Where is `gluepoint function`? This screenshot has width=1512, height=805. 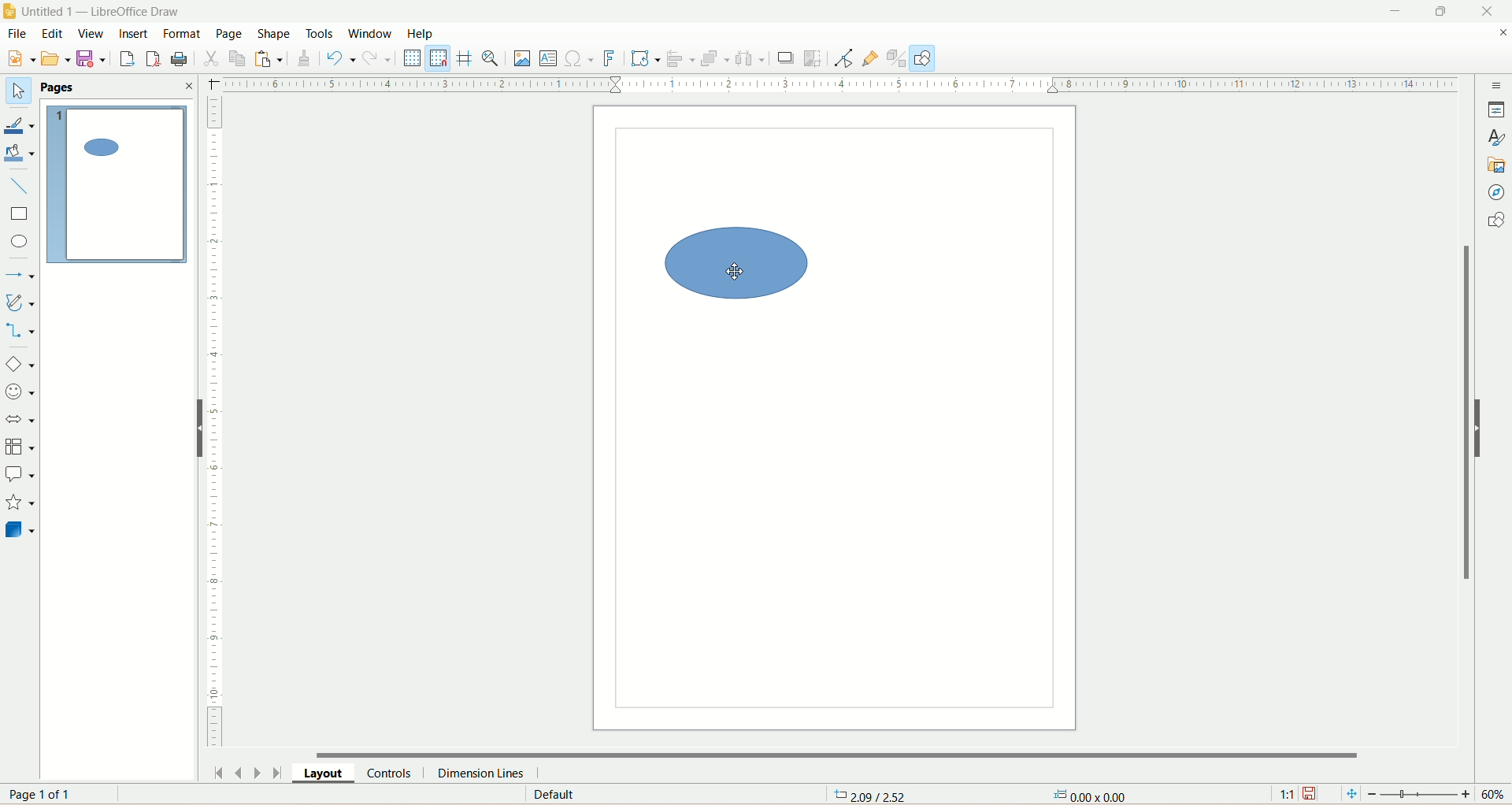 gluepoint function is located at coordinates (873, 58).